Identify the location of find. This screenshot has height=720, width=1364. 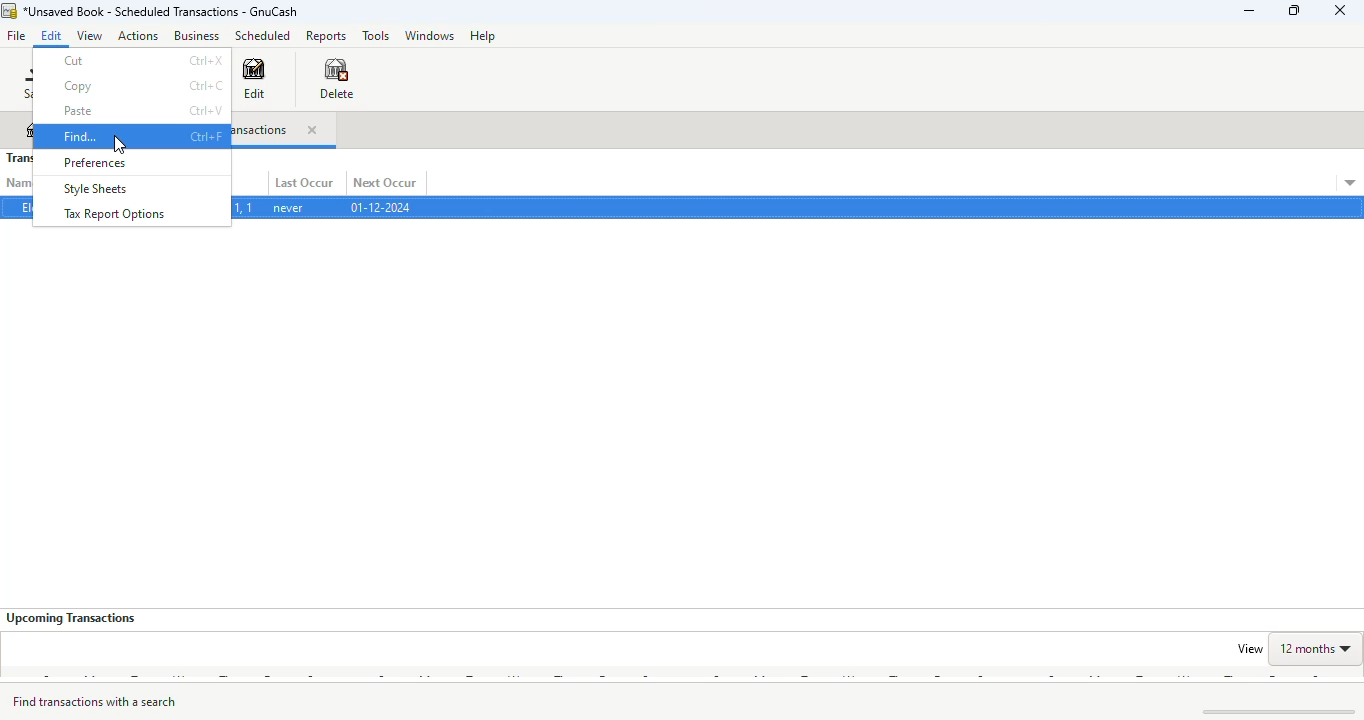
(78, 136).